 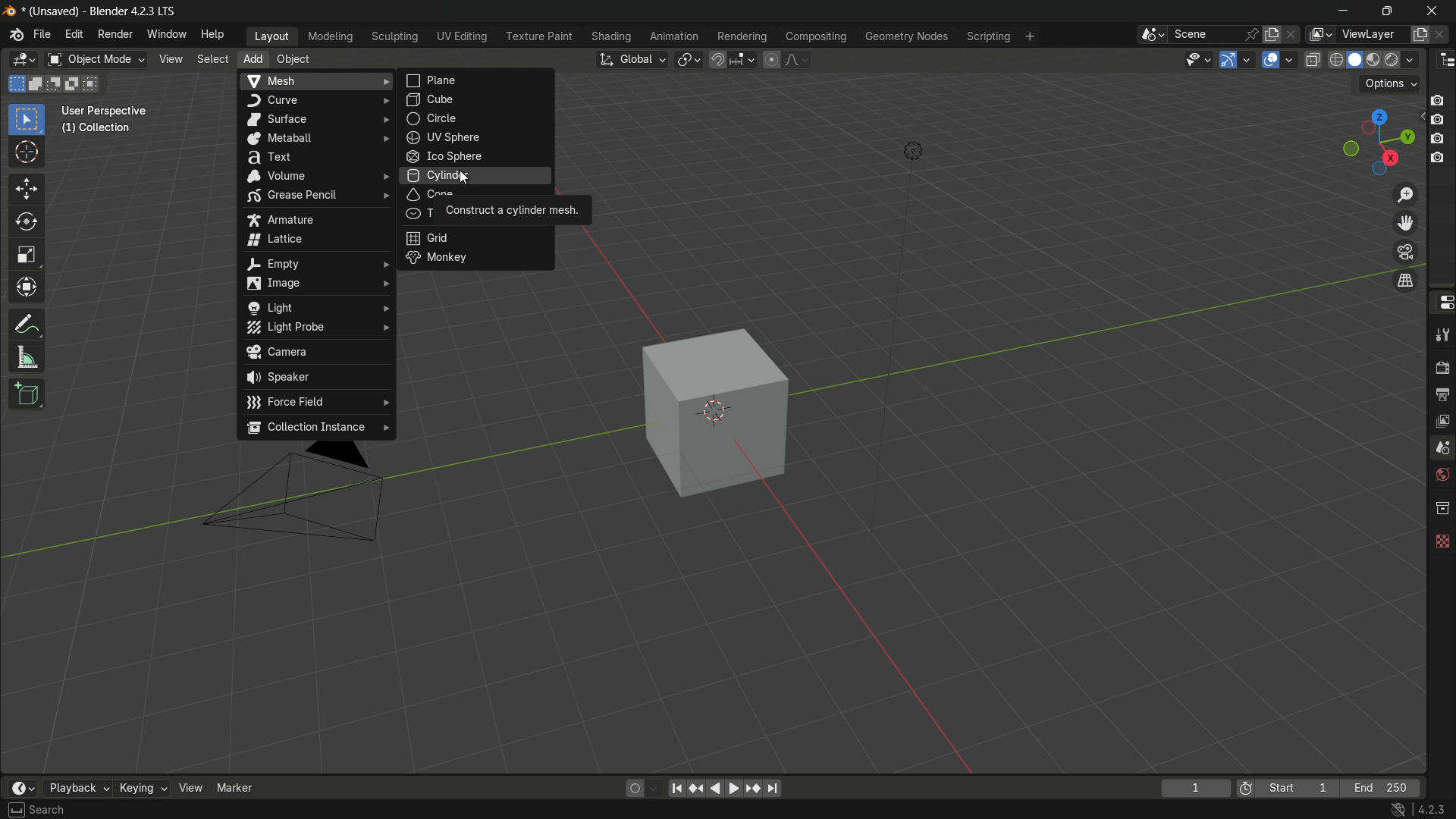 I want to click on compositing menu, so click(x=817, y=36).